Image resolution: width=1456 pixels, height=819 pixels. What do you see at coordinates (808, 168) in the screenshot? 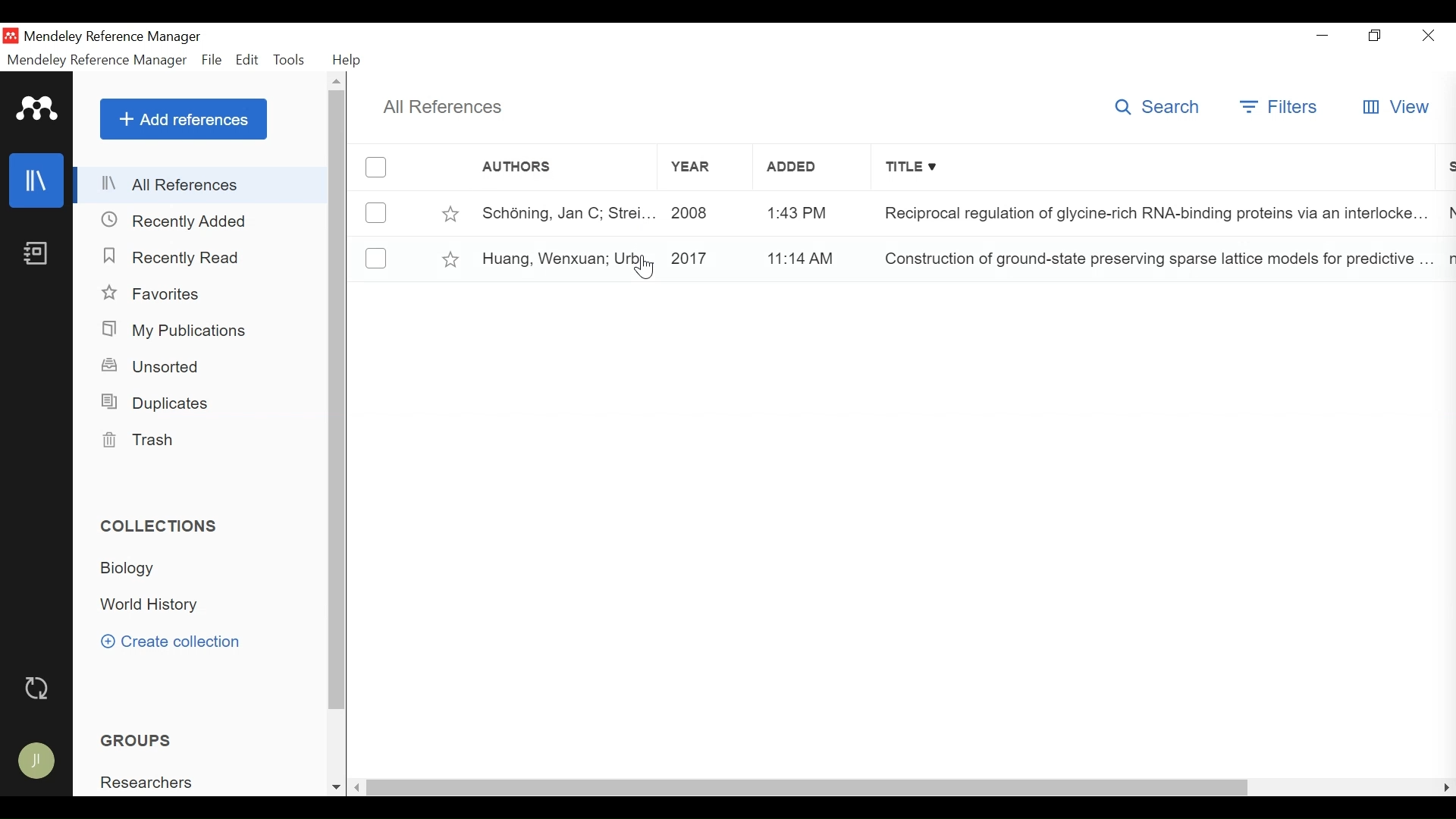
I see `Added` at bounding box center [808, 168].